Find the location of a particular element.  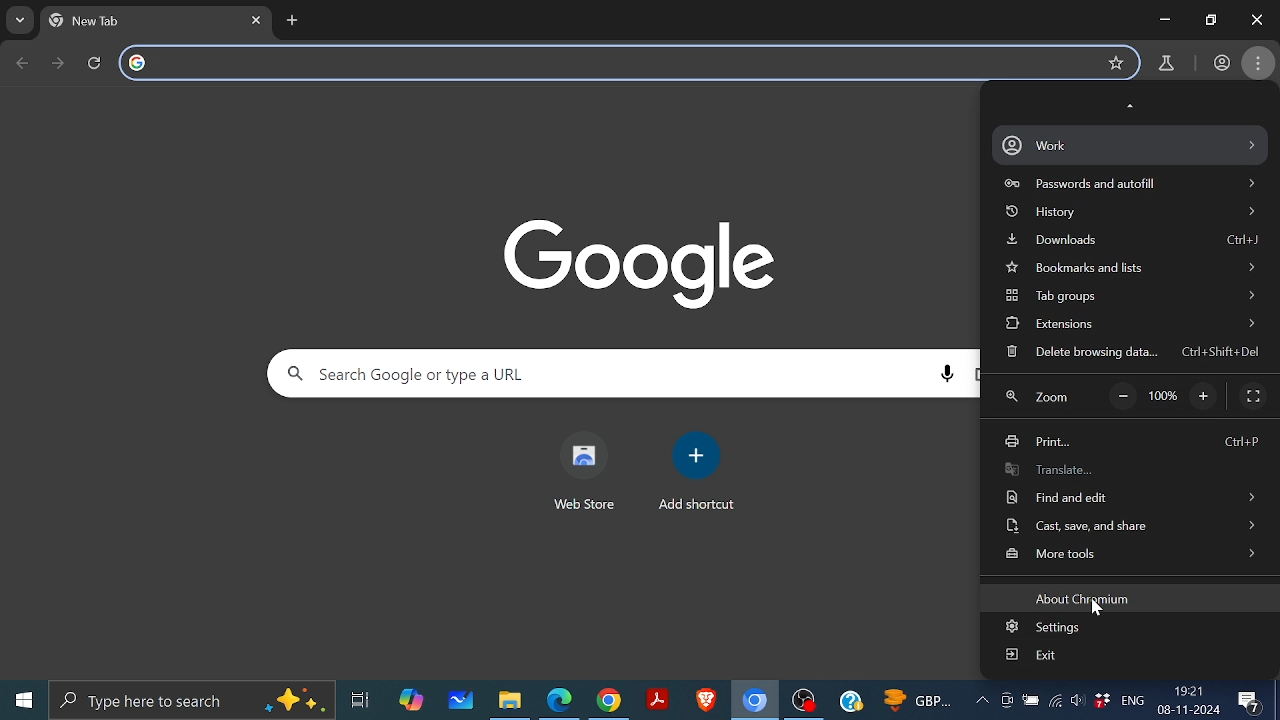

Adobe reader is located at coordinates (657, 698).